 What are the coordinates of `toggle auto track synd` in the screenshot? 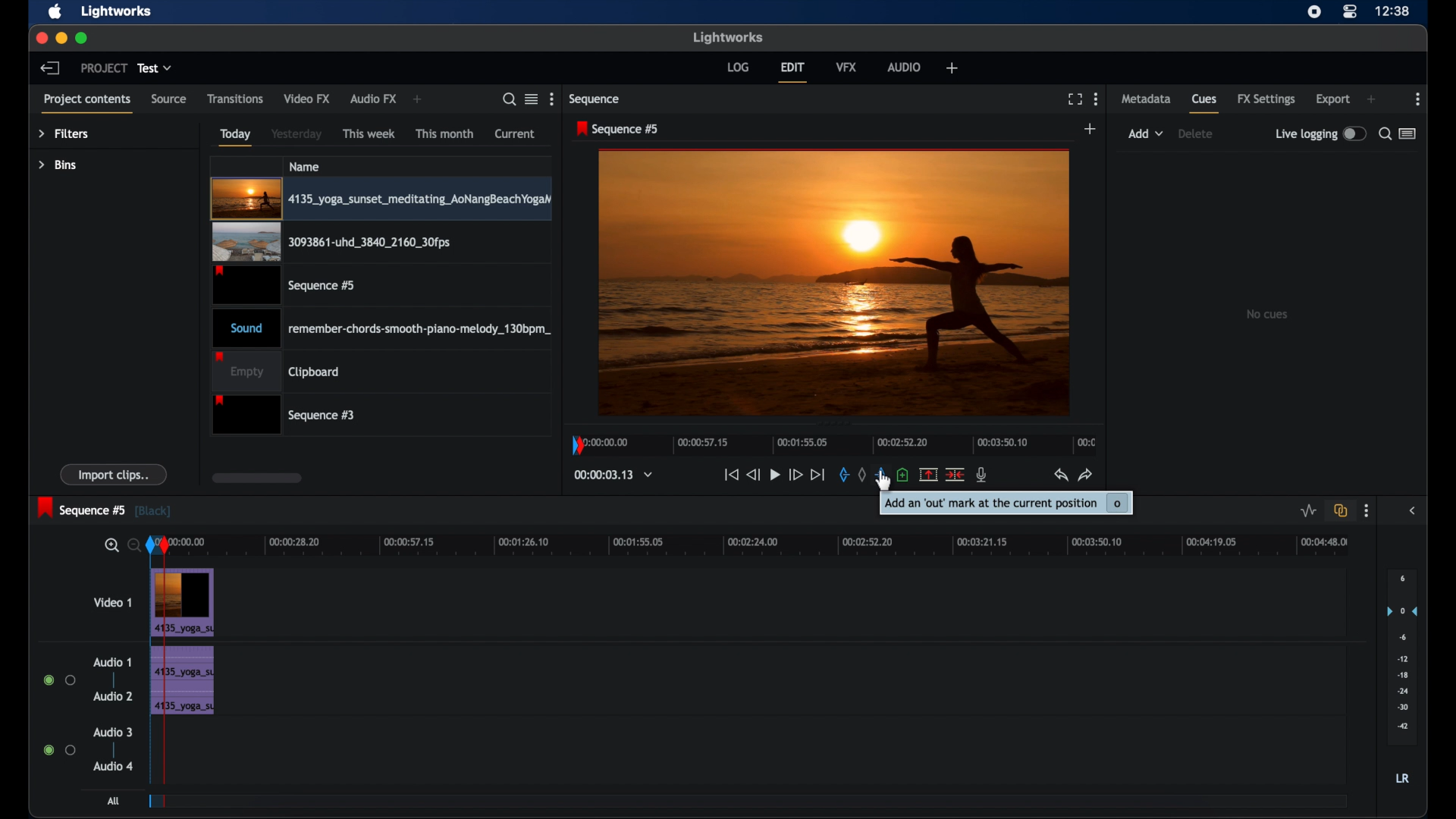 It's located at (1341, 510).